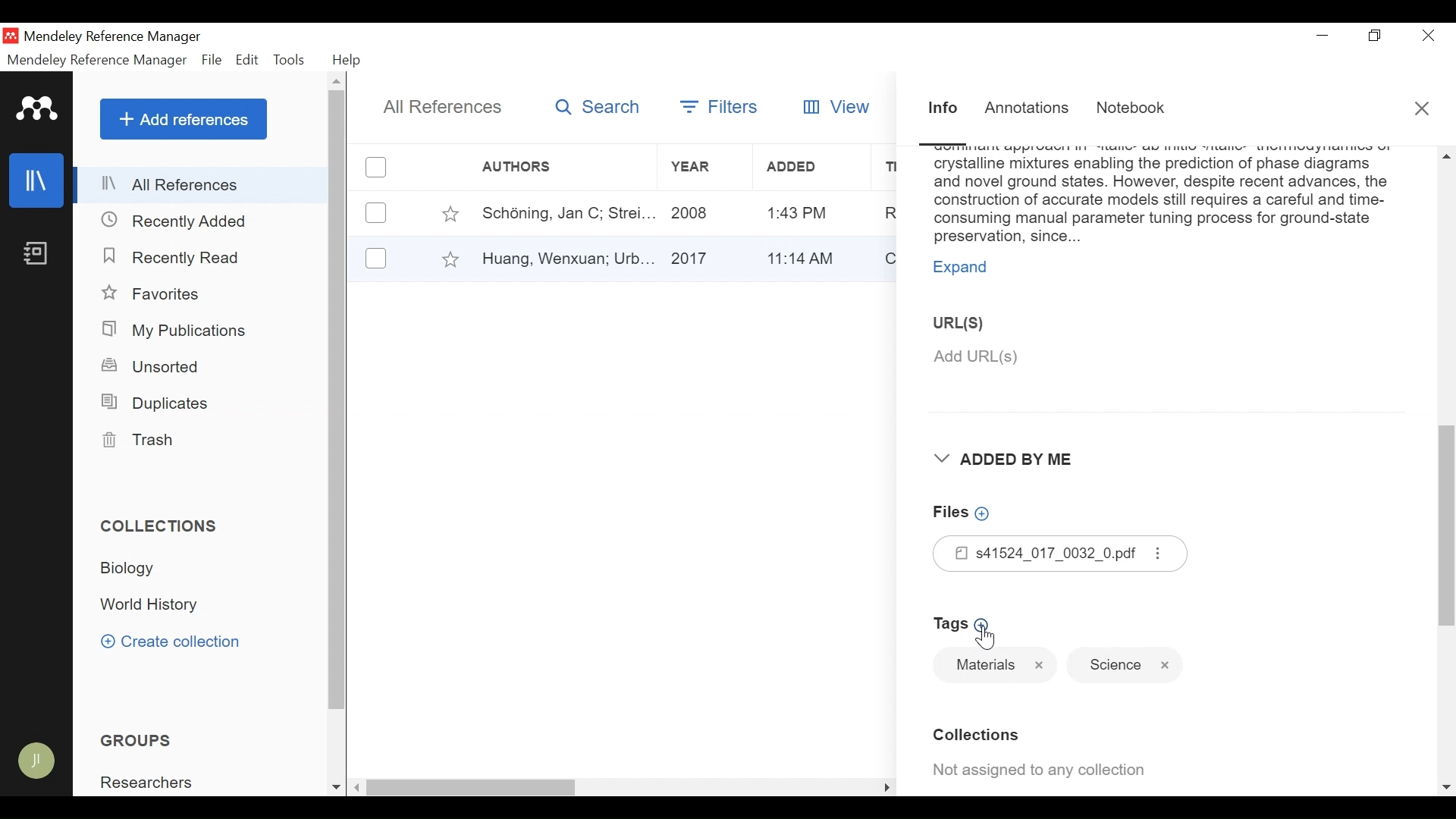 The height and width of the screenshot is (819, 1456). What do you see at coordinates (566, 257) in the screenshot?
I see `Author` at bounding box center [566, 257].